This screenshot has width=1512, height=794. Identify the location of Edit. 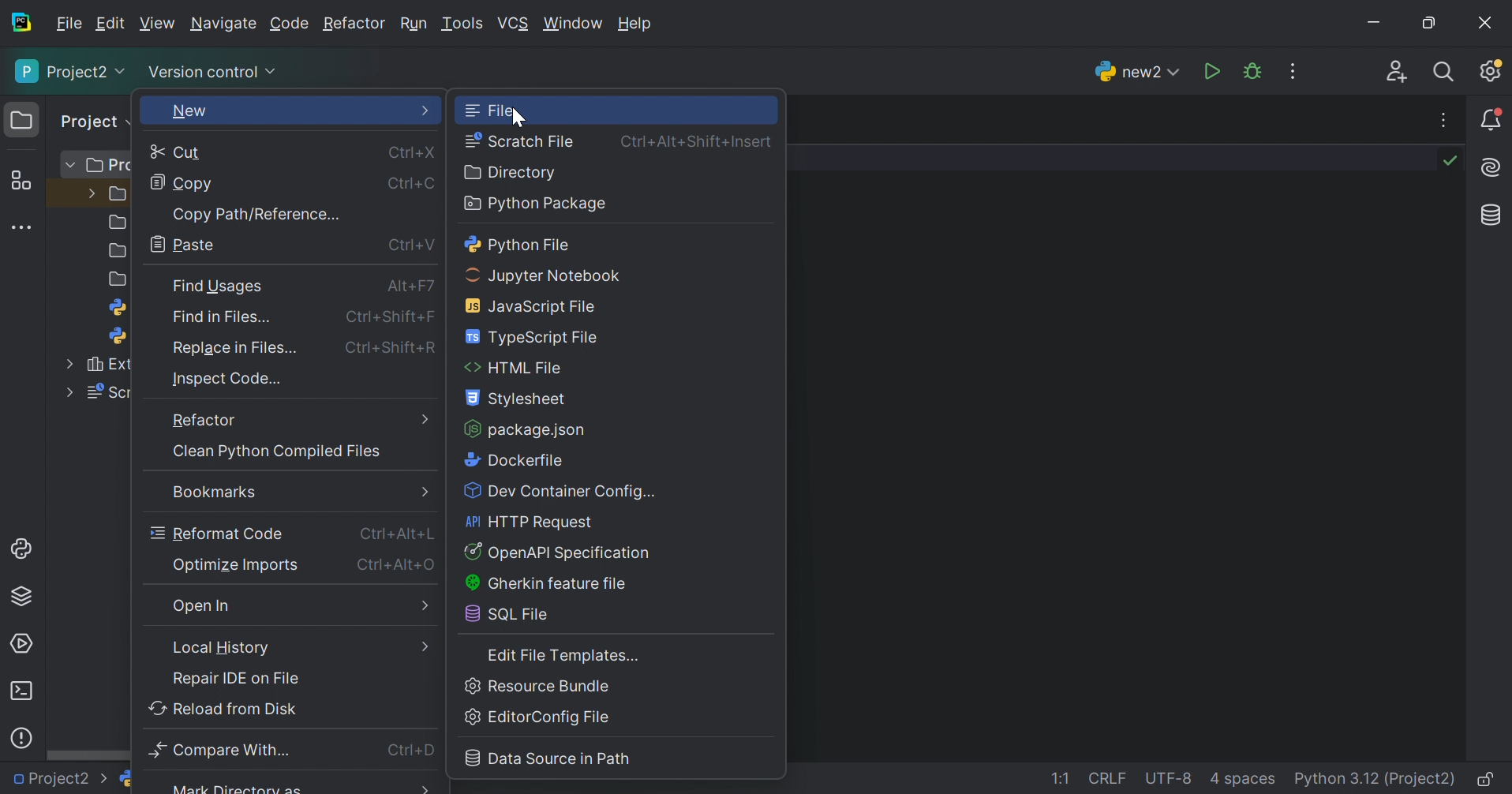
(110, 24).